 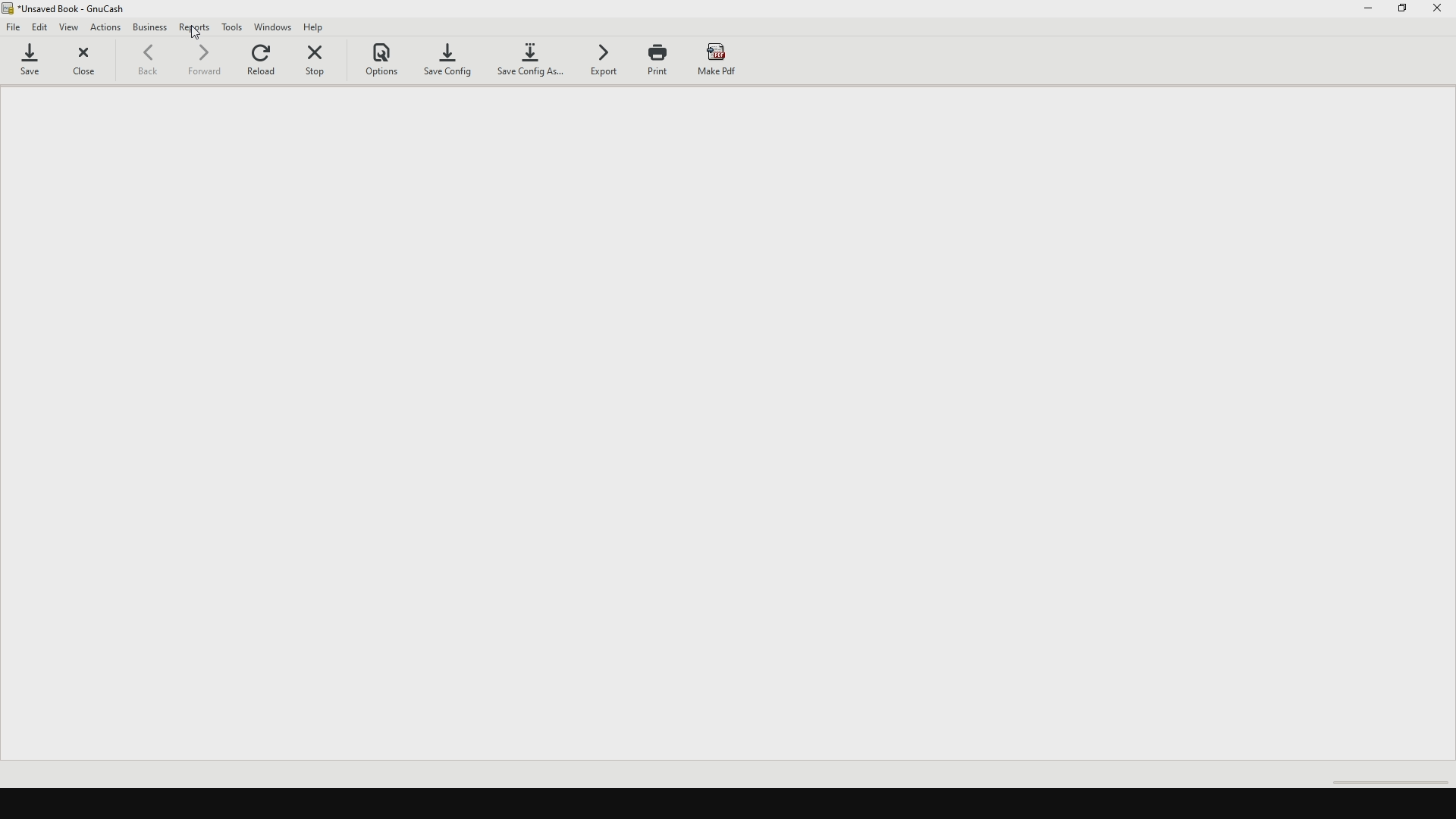 I want to click on close, so click(x=89, y=64).